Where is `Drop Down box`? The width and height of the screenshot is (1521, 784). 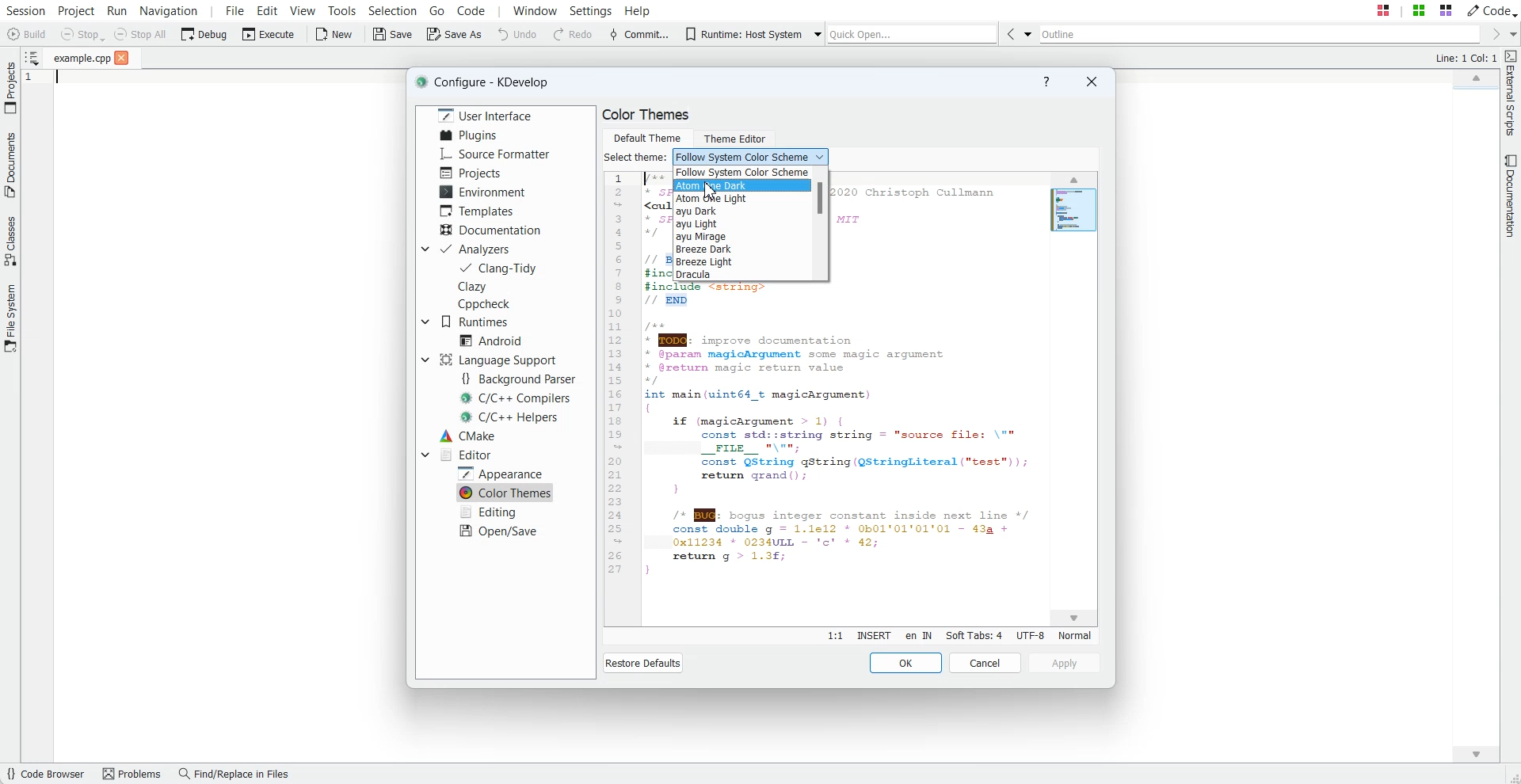 Drop Down box is located at coordinates (425, 454).